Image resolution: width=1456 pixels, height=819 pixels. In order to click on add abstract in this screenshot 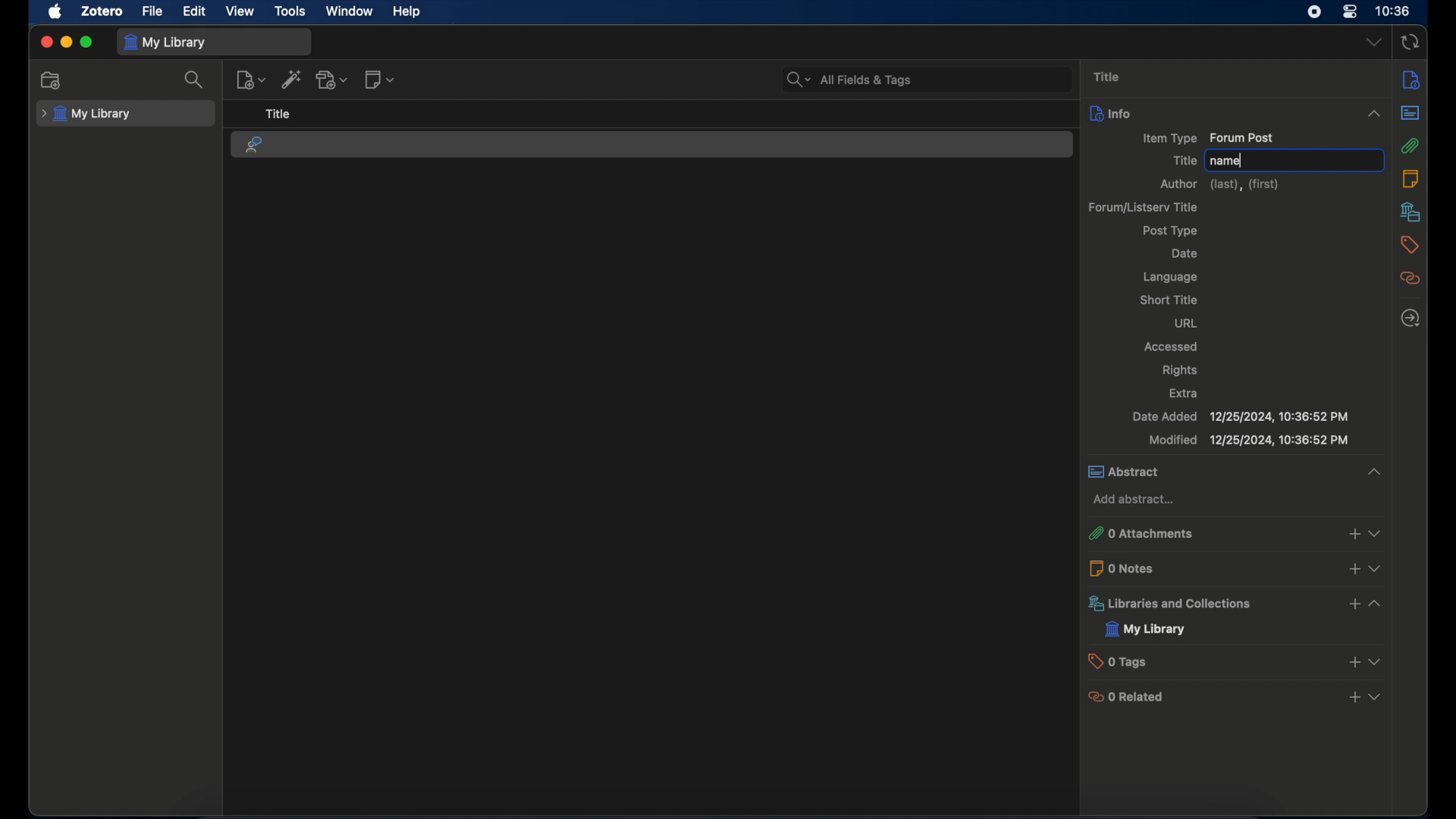, I will do `click(1134, 499)`.